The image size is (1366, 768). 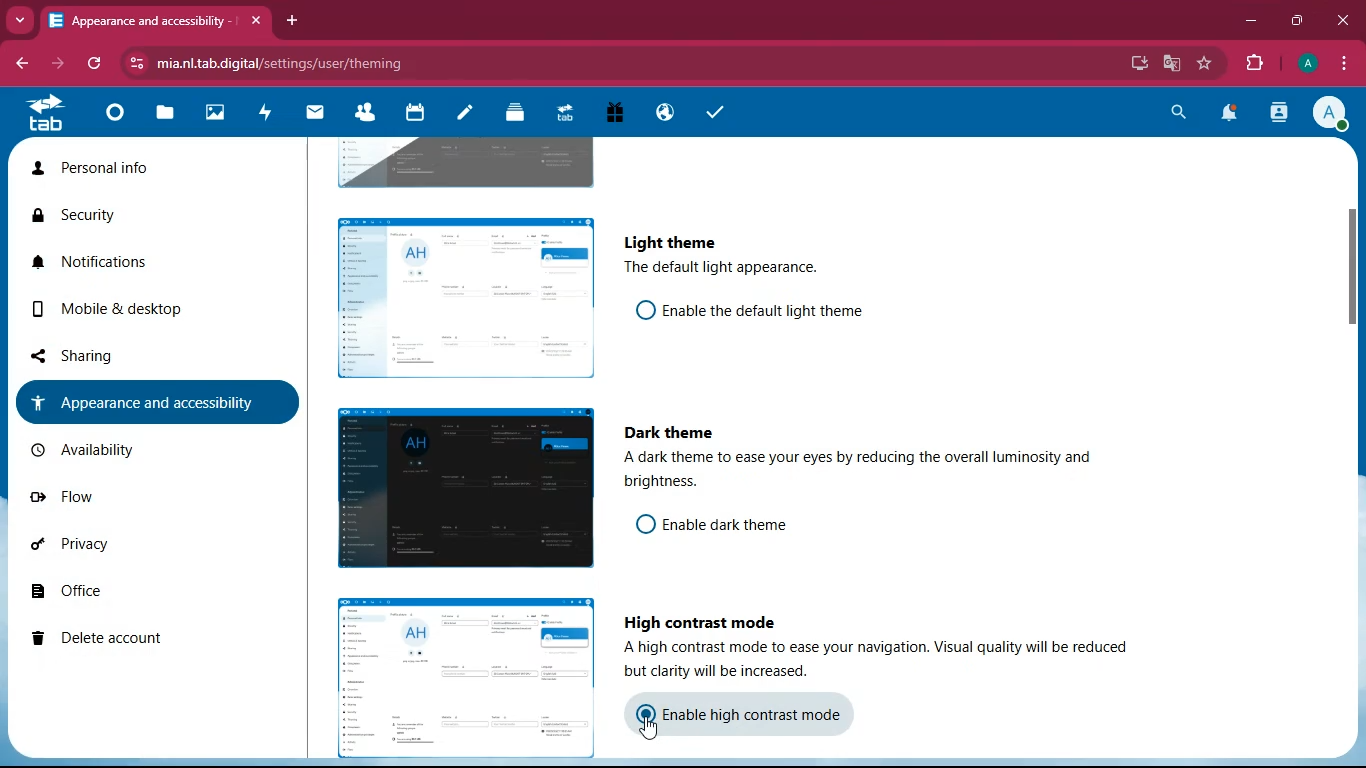 I want to click on menu, so click(x=1343, y=65).